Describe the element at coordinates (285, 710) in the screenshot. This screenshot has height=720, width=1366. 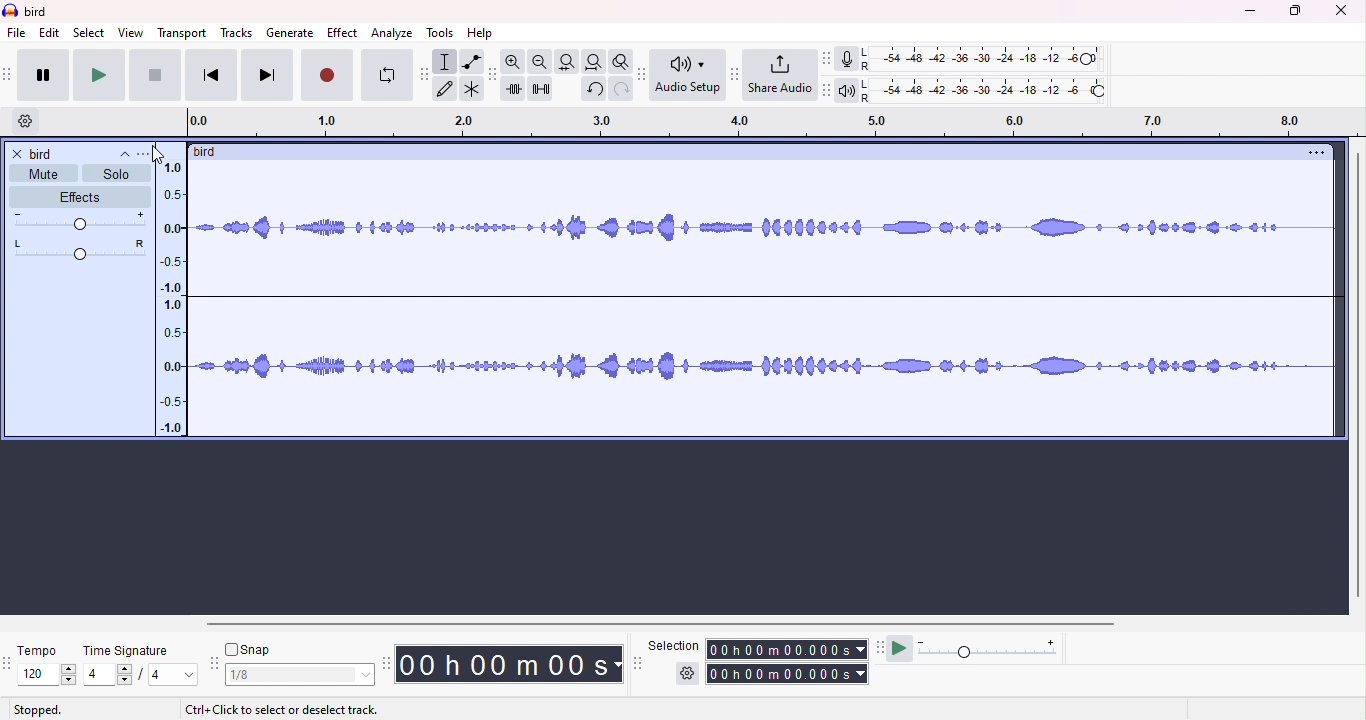
I see `ctrl+click to select or deselect track` at that location.